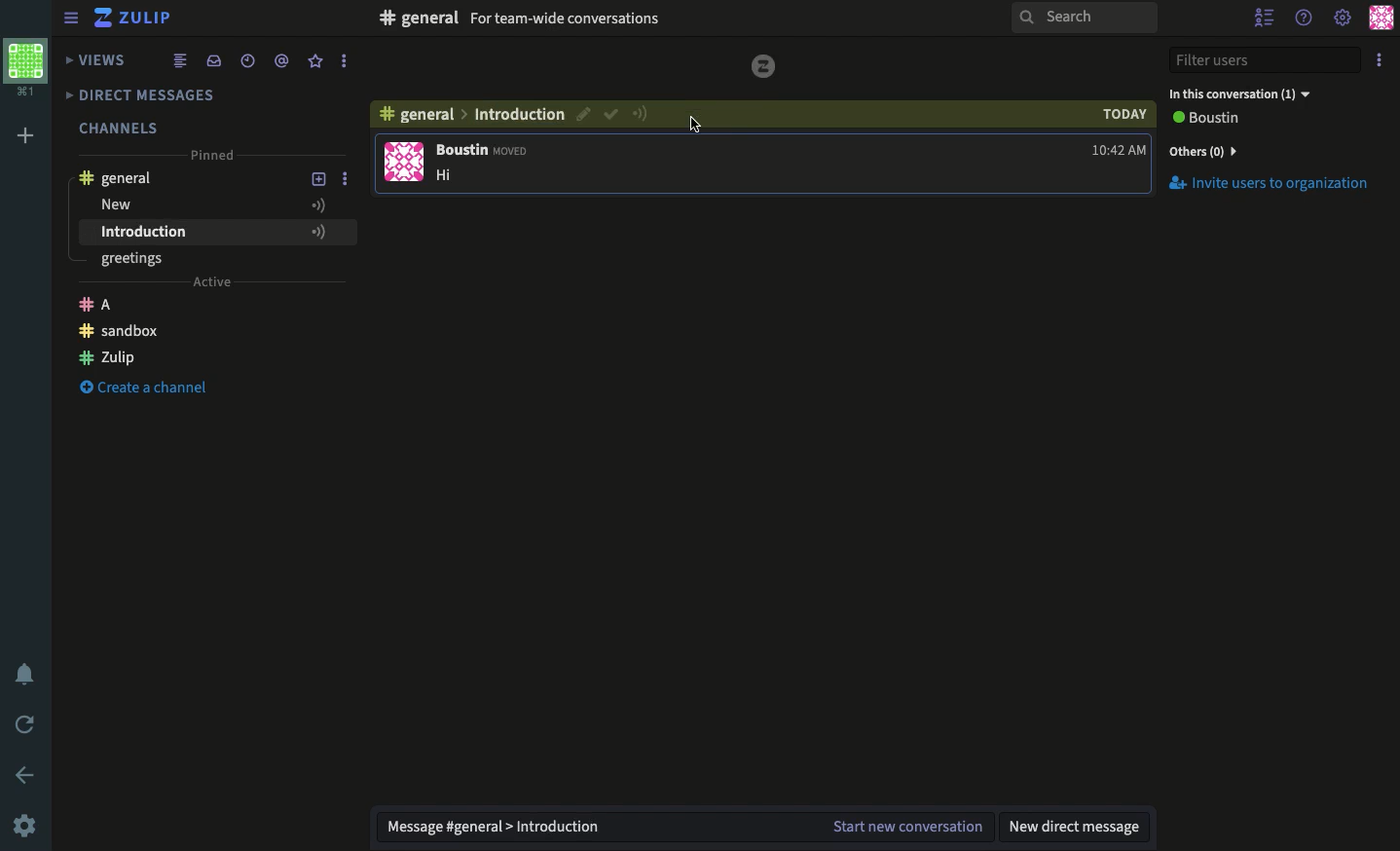 The image size is (1400, 851). I want to click on Invite Users to Organization, so click(1271, 185).